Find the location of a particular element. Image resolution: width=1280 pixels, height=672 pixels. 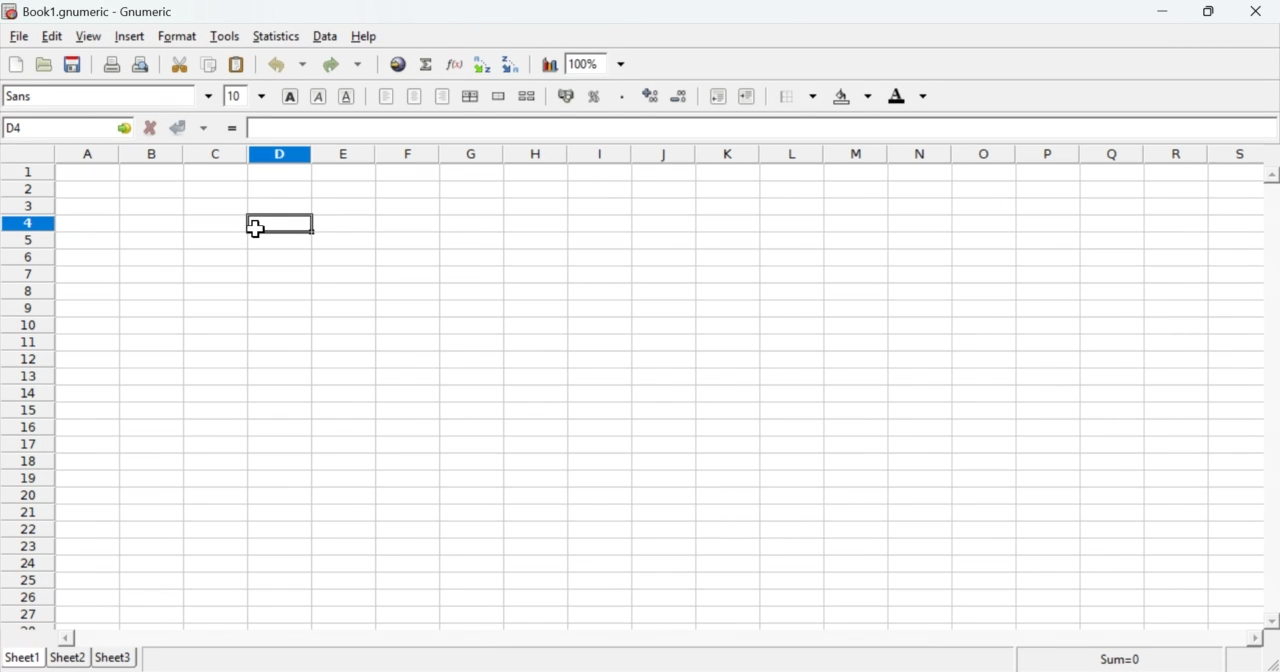

Edit function is located at coordinates (455, 64).